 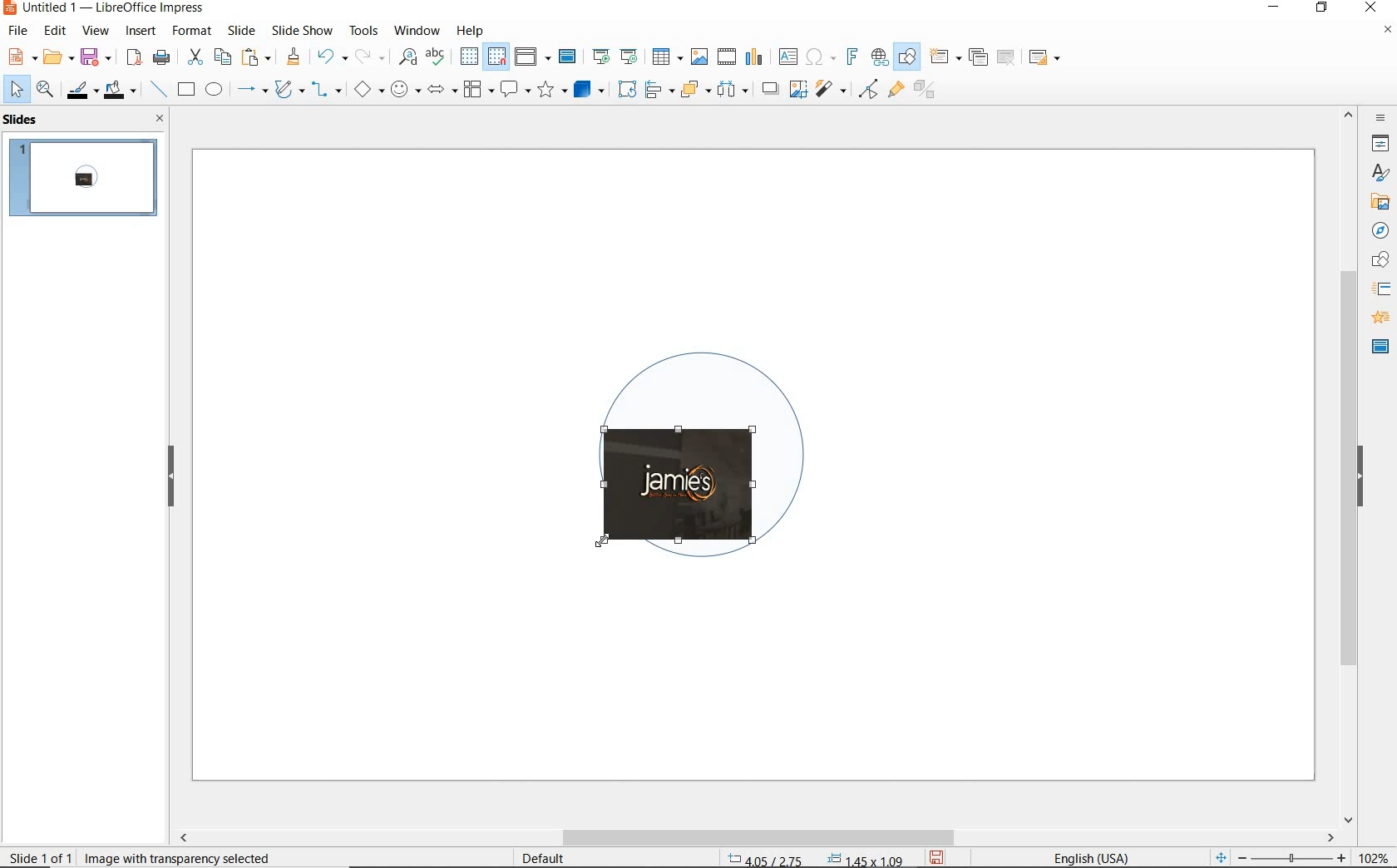 I want to click on format, so click(x=190, y=30).